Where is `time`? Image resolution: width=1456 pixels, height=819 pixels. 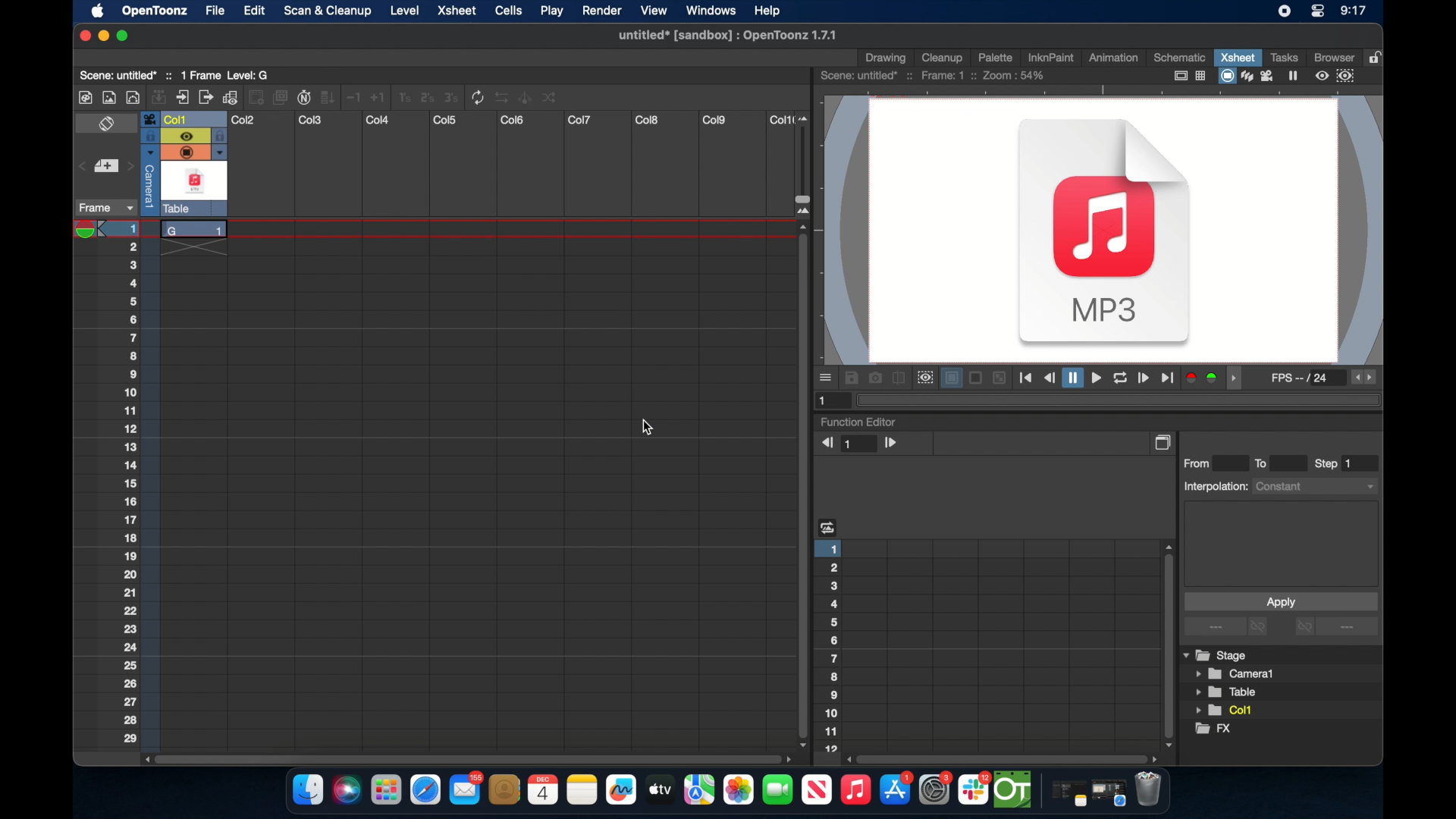
time is located at coordinates (1353, 12).